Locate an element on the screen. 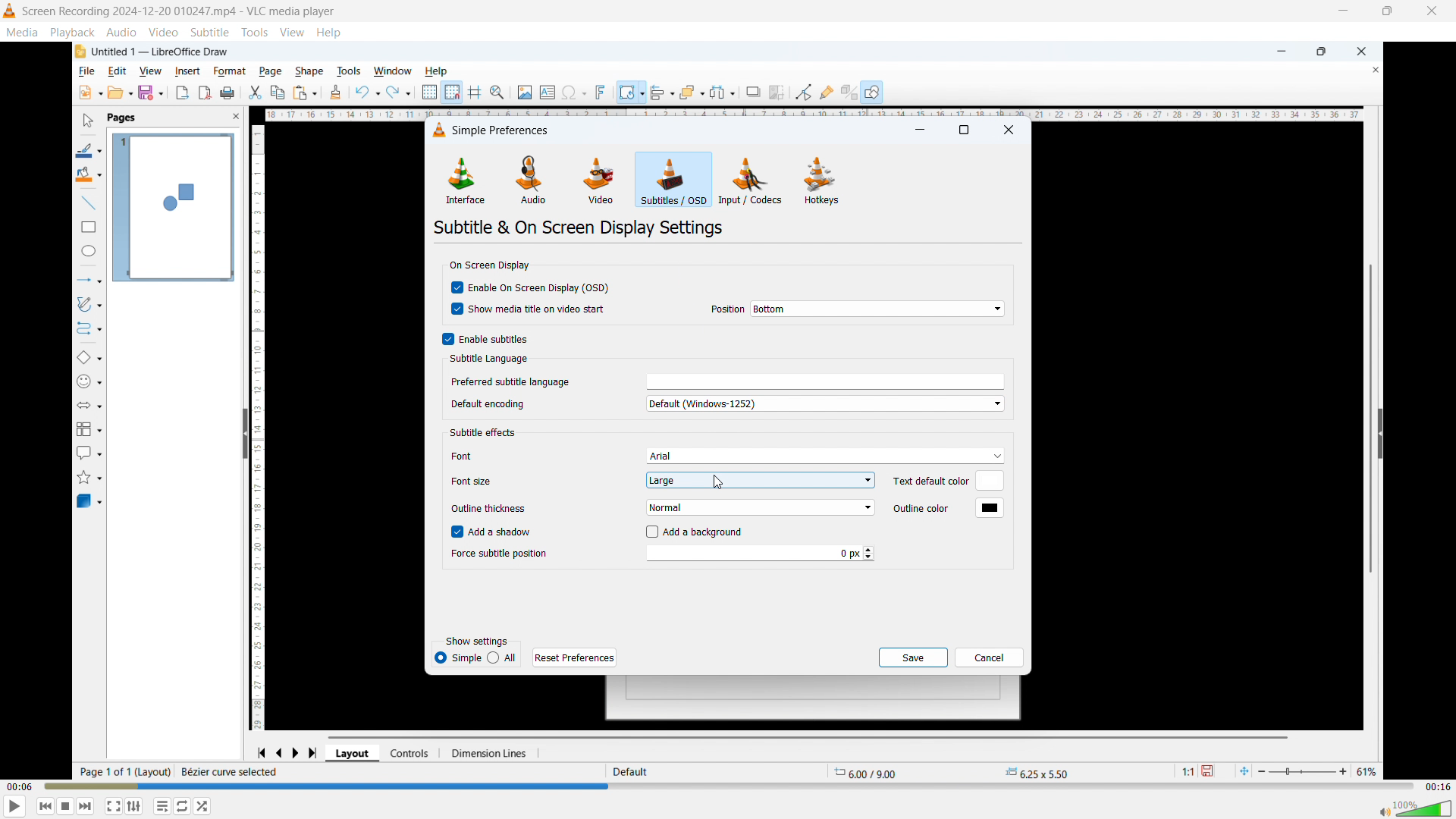 This screenshot has width=1456, height=819. Subtitles or OSD  is located at coordinates (674, 180).